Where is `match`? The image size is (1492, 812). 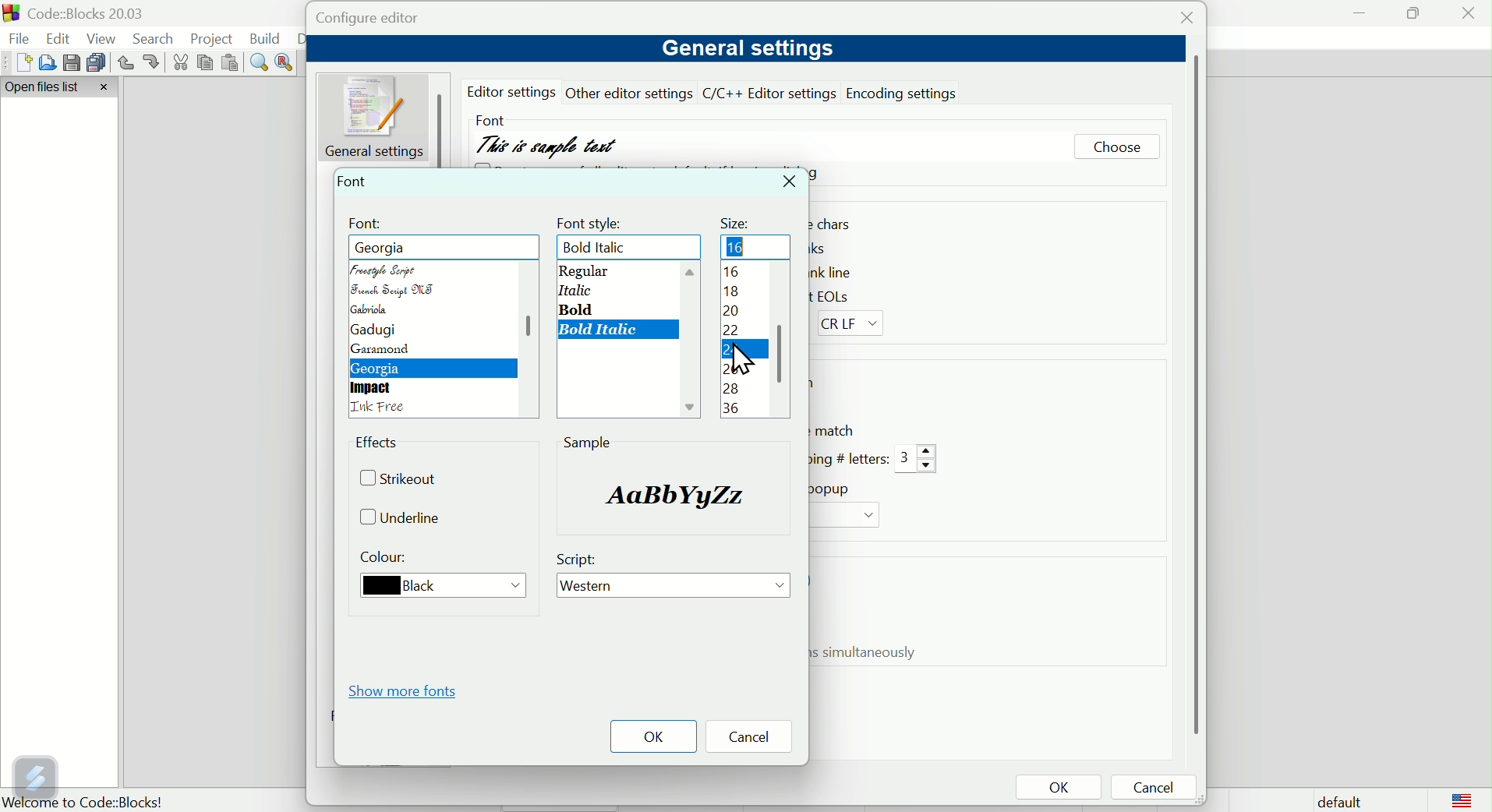
match is located at coordinates (836, 430).